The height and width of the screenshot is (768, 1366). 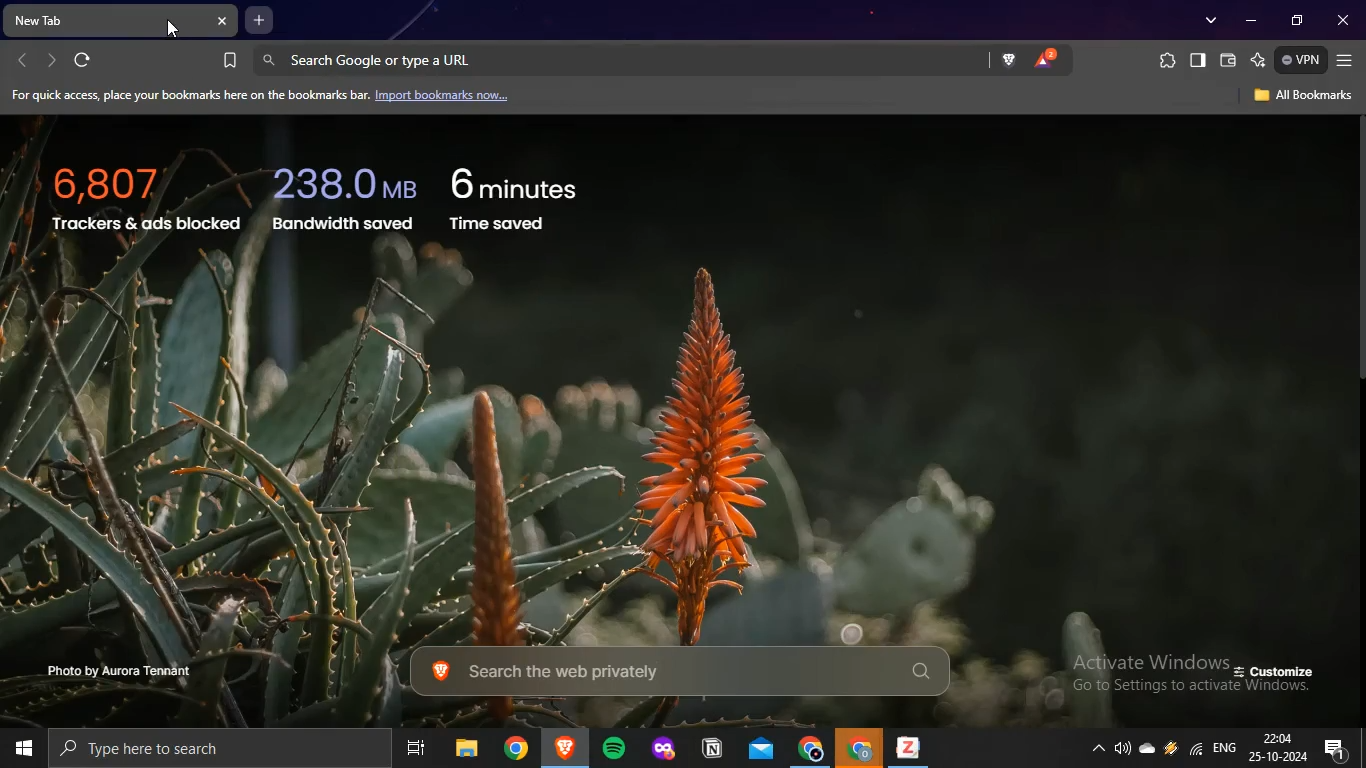 What do you see at coordinates (53, 60) in the screenshot?
I see `forward` at bounding box center [53, 60].